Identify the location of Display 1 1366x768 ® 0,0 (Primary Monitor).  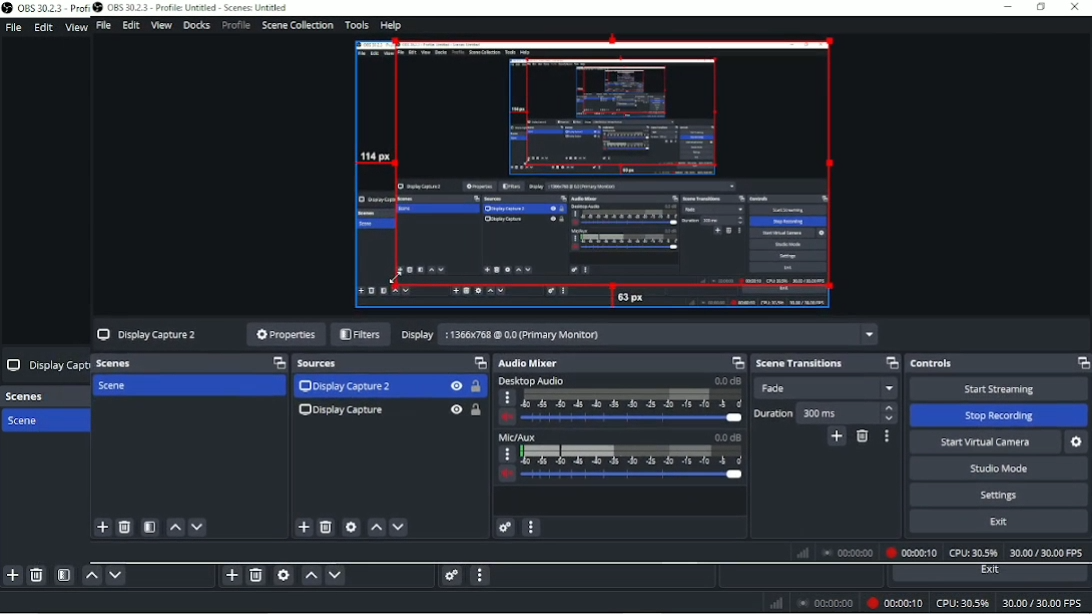
(639, 334).